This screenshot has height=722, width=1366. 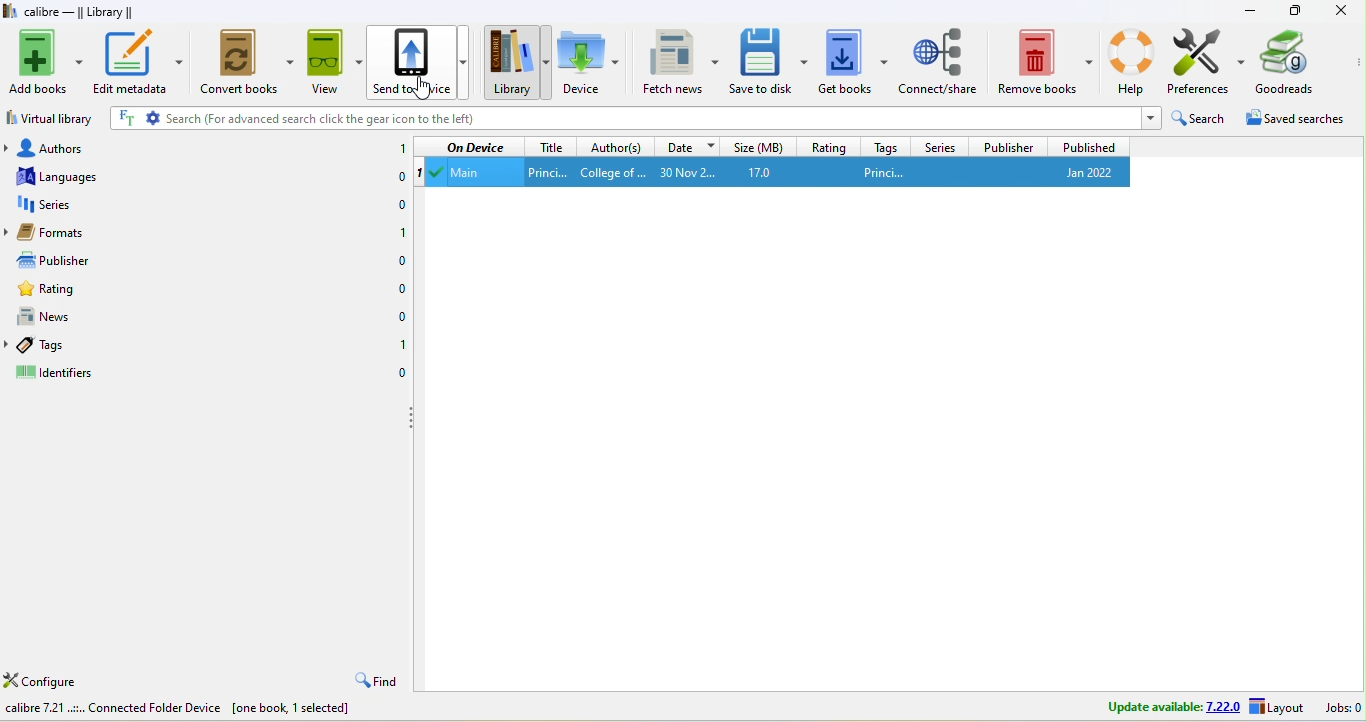 I want to click on 0, so click(x=394, y=317).